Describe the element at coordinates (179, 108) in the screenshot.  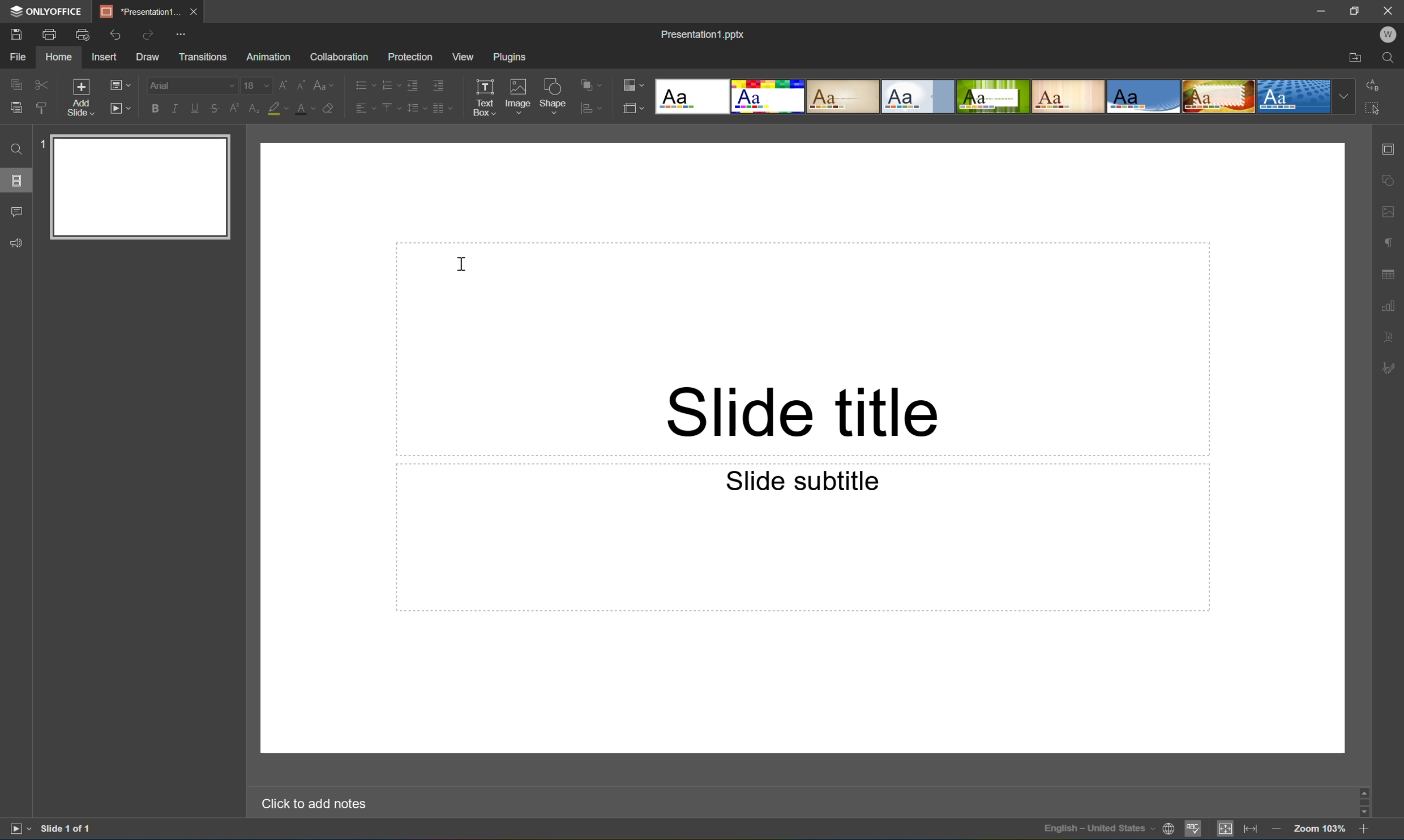
I see `Italic` at that location.